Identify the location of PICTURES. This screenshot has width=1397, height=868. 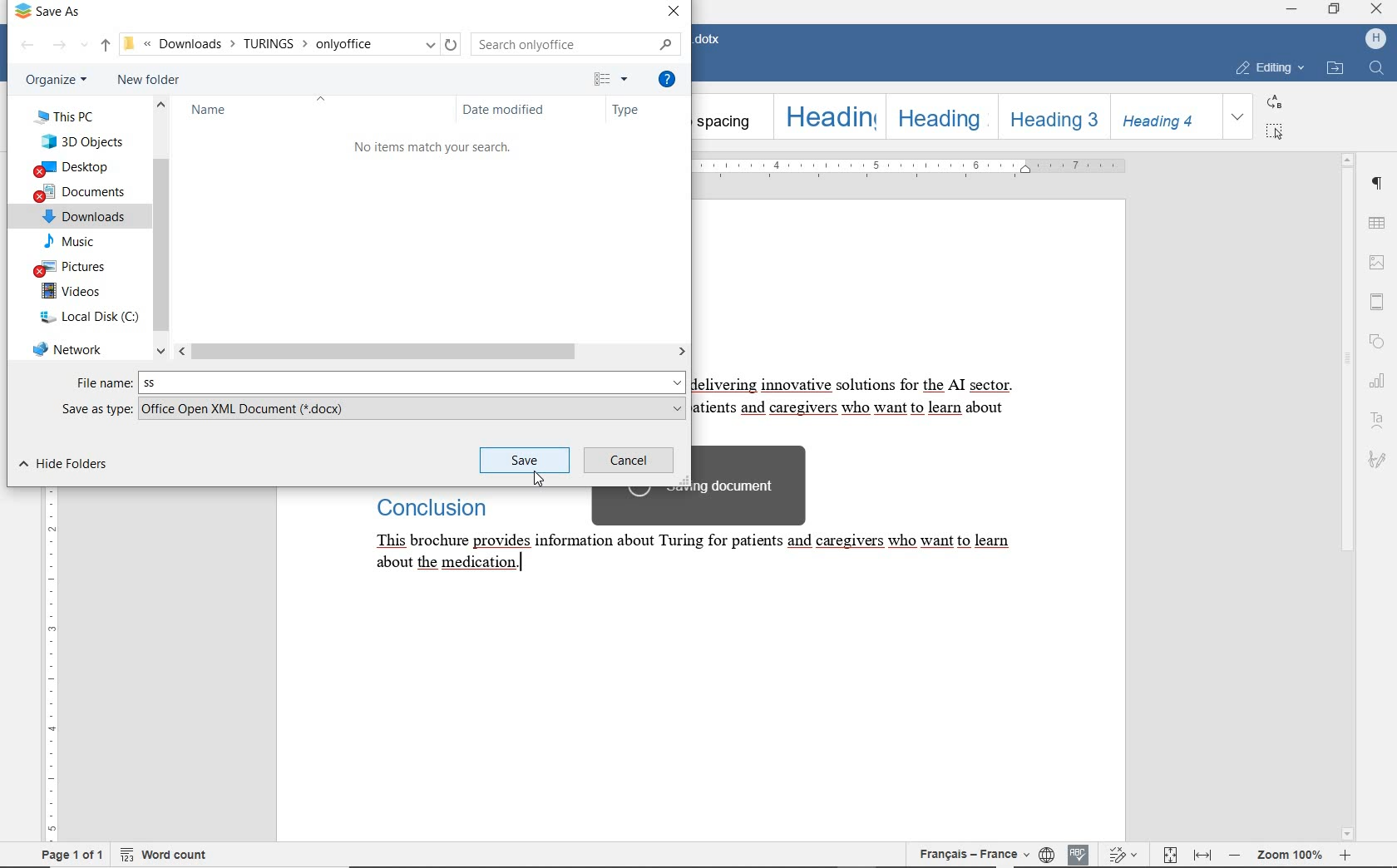
(76, 267).